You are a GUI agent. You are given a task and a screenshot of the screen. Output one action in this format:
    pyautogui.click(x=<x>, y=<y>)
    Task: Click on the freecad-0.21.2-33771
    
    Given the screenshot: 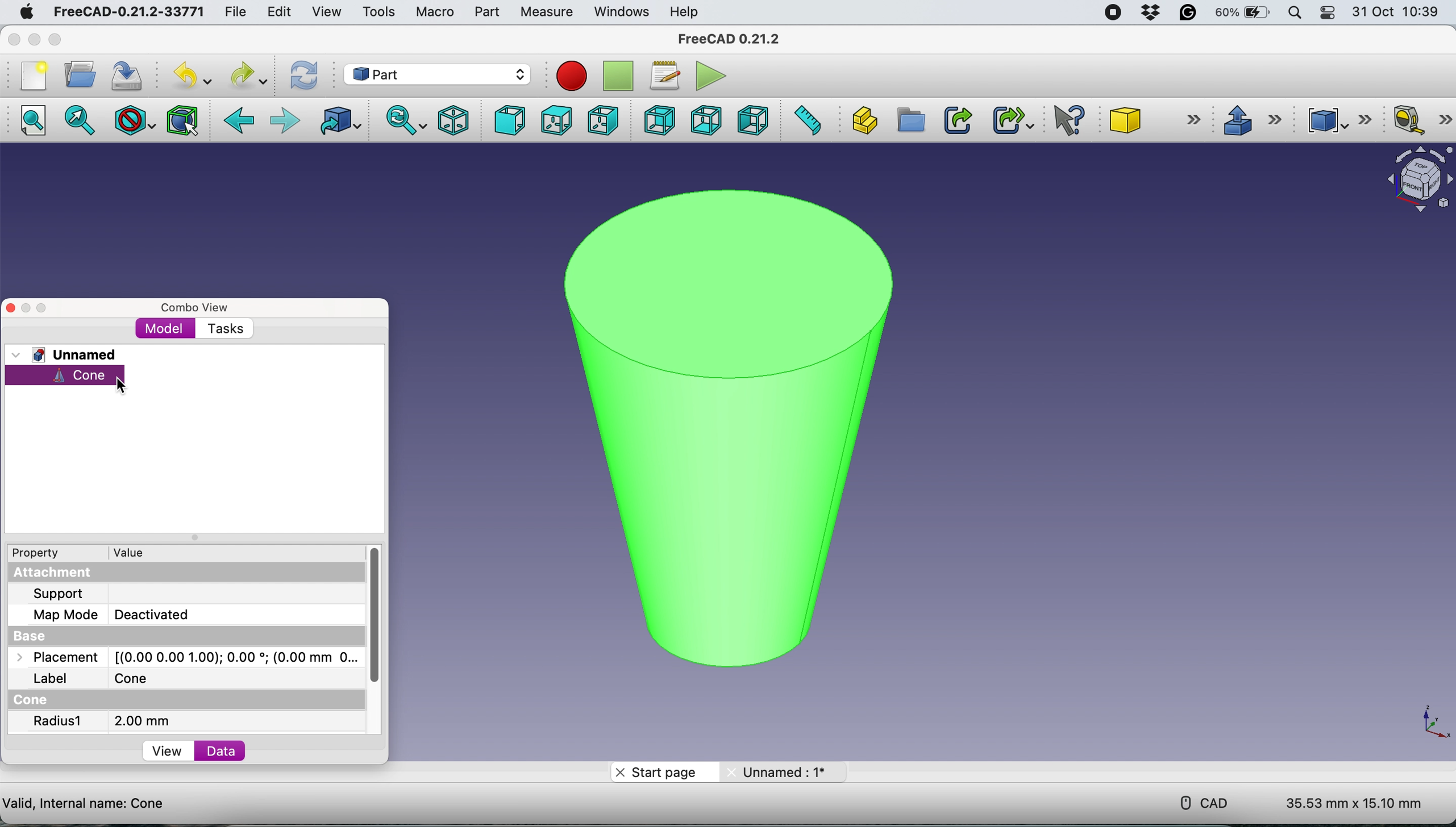 What is the action you would take?
    pyautogui.click(x=130, y=12)
    